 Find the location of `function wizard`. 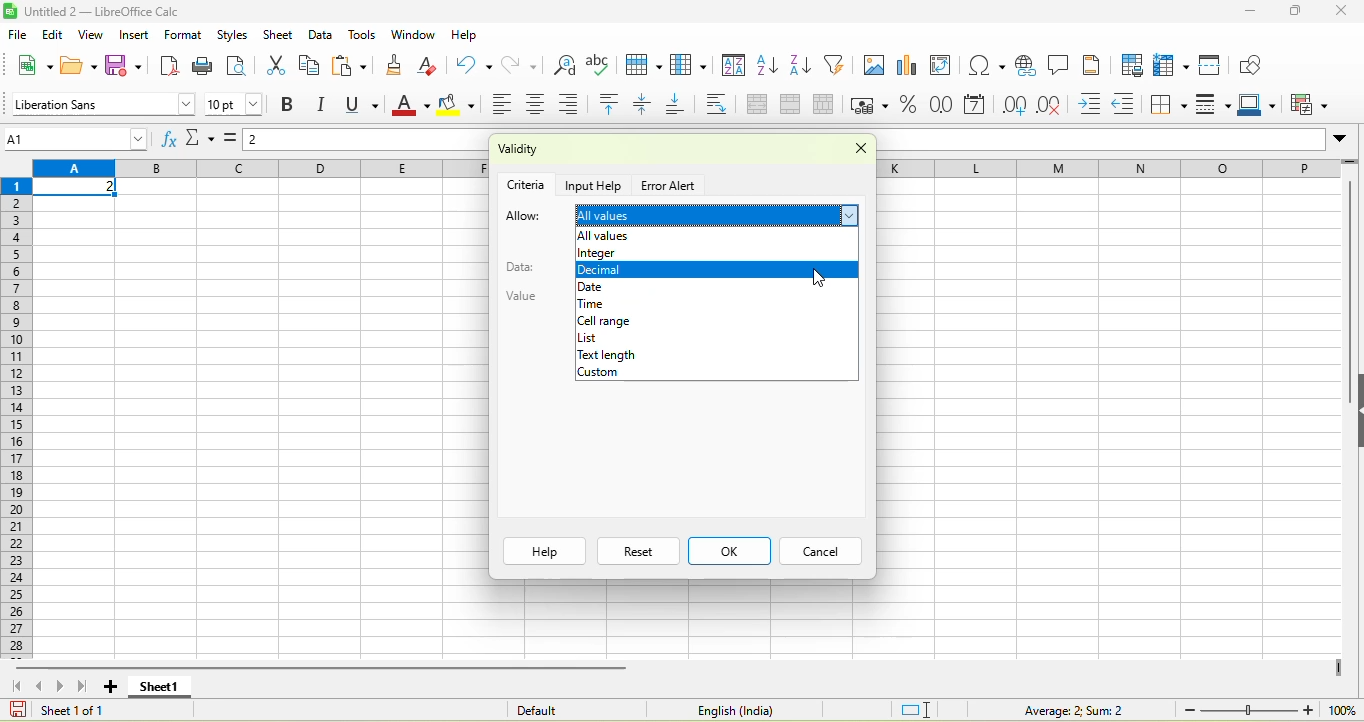

function wizard is located at coordinates (169, 139).